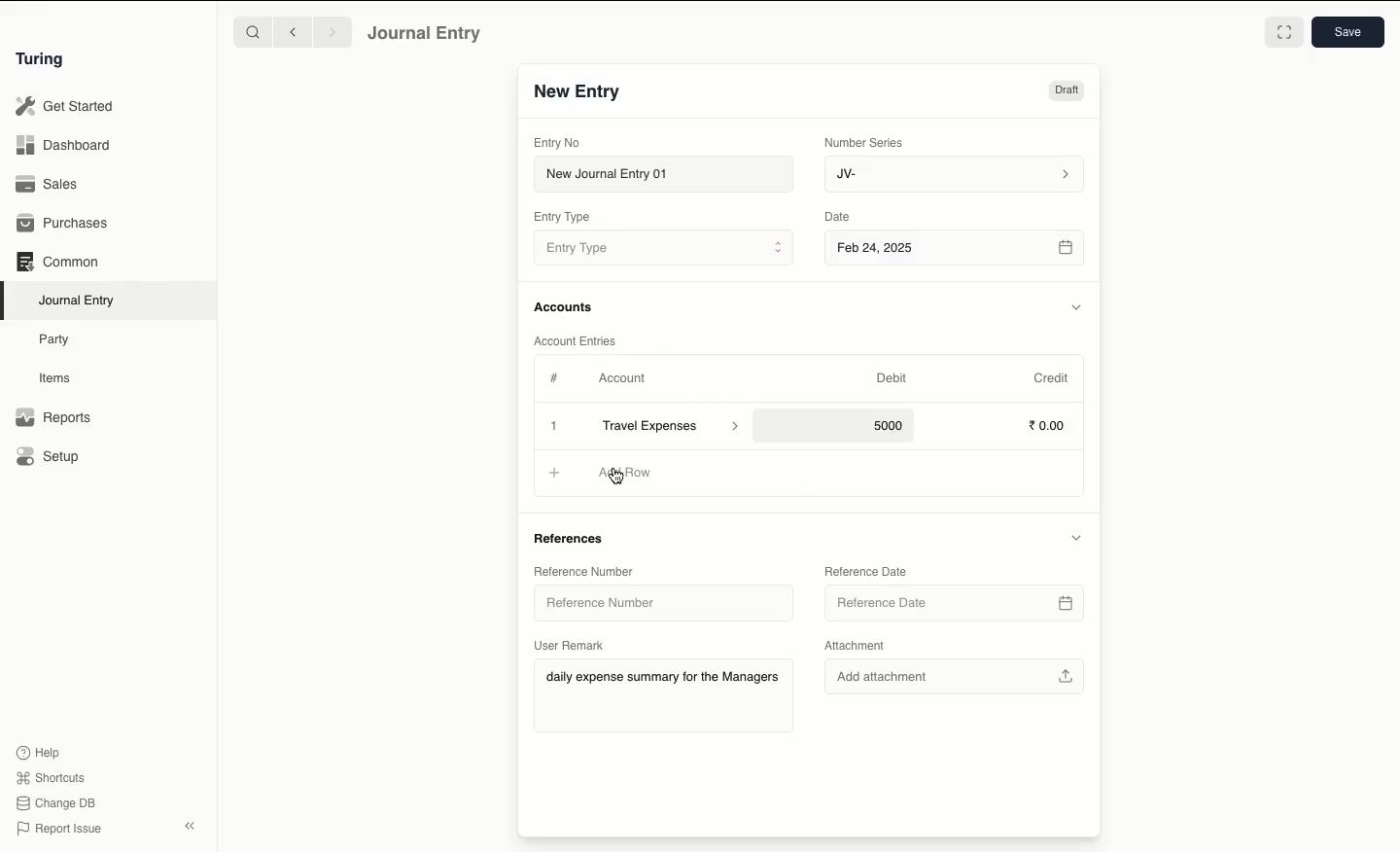  What do you see at coordinates (577, 537) in the screenshot?
I see `References` at bounding box center [577, 537].